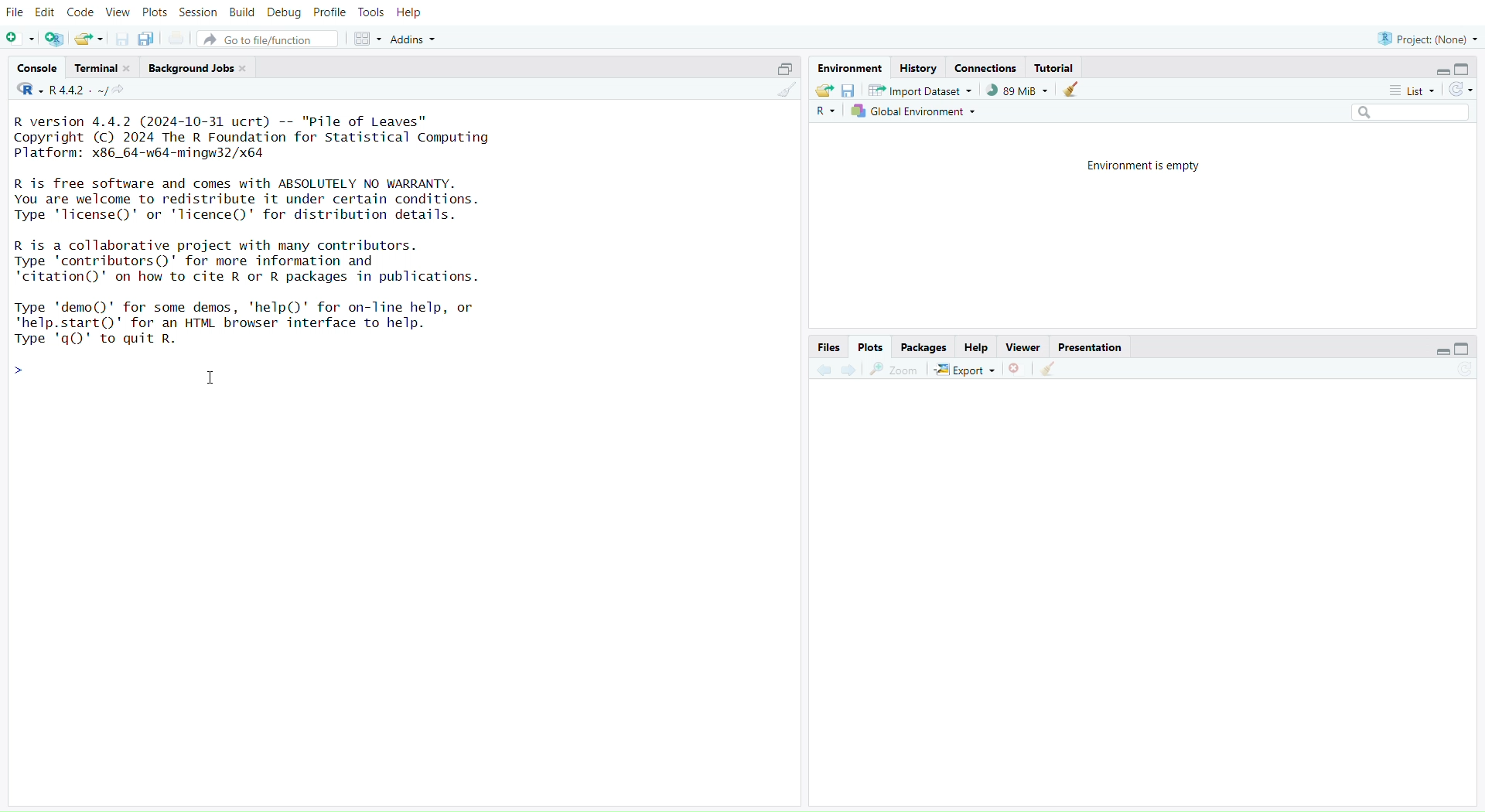  Describe the element at coordinates (77, 92) in the screenshot. I see `R 4.4.2~/` at that location.